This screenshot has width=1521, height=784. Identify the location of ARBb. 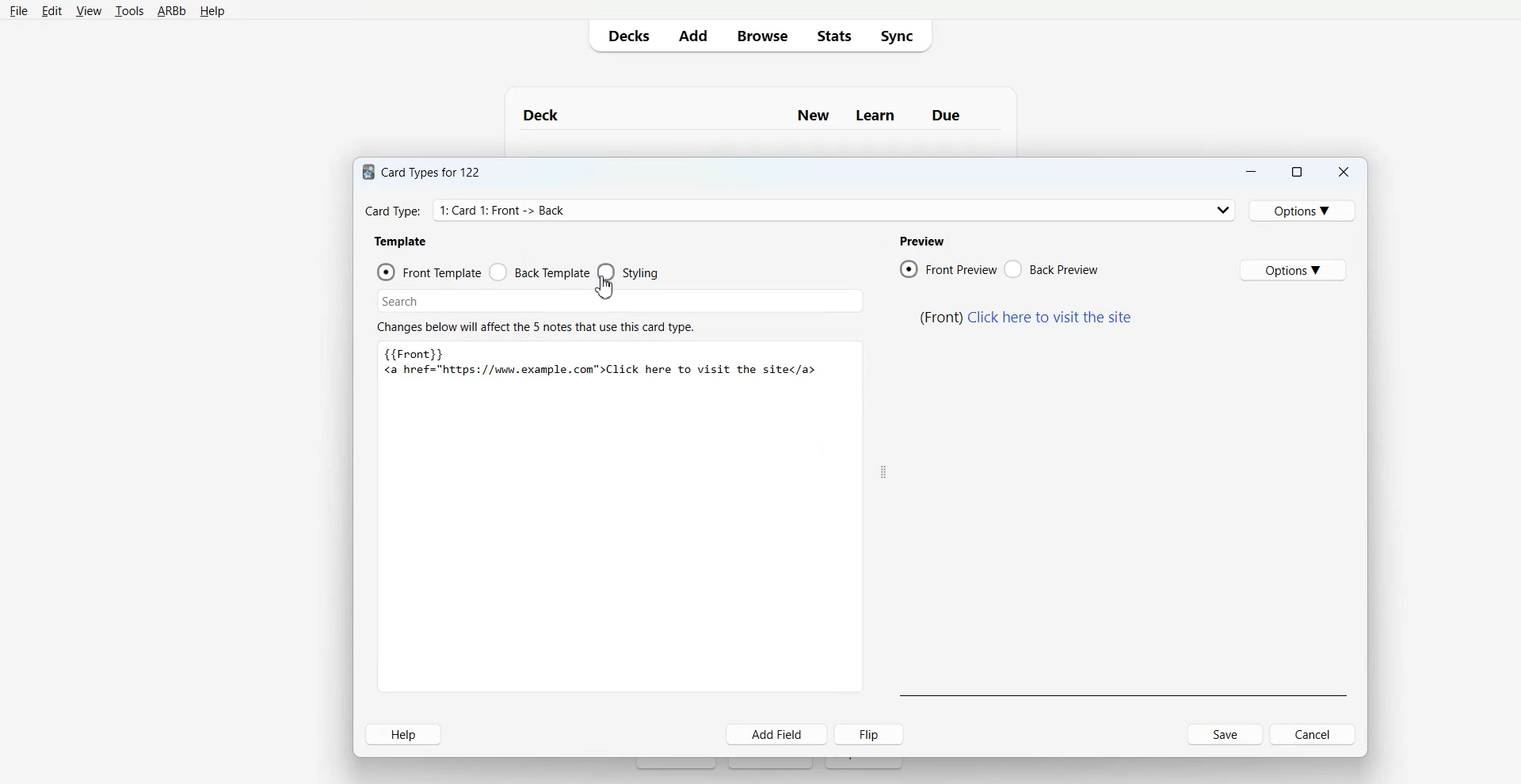
(171, 12).